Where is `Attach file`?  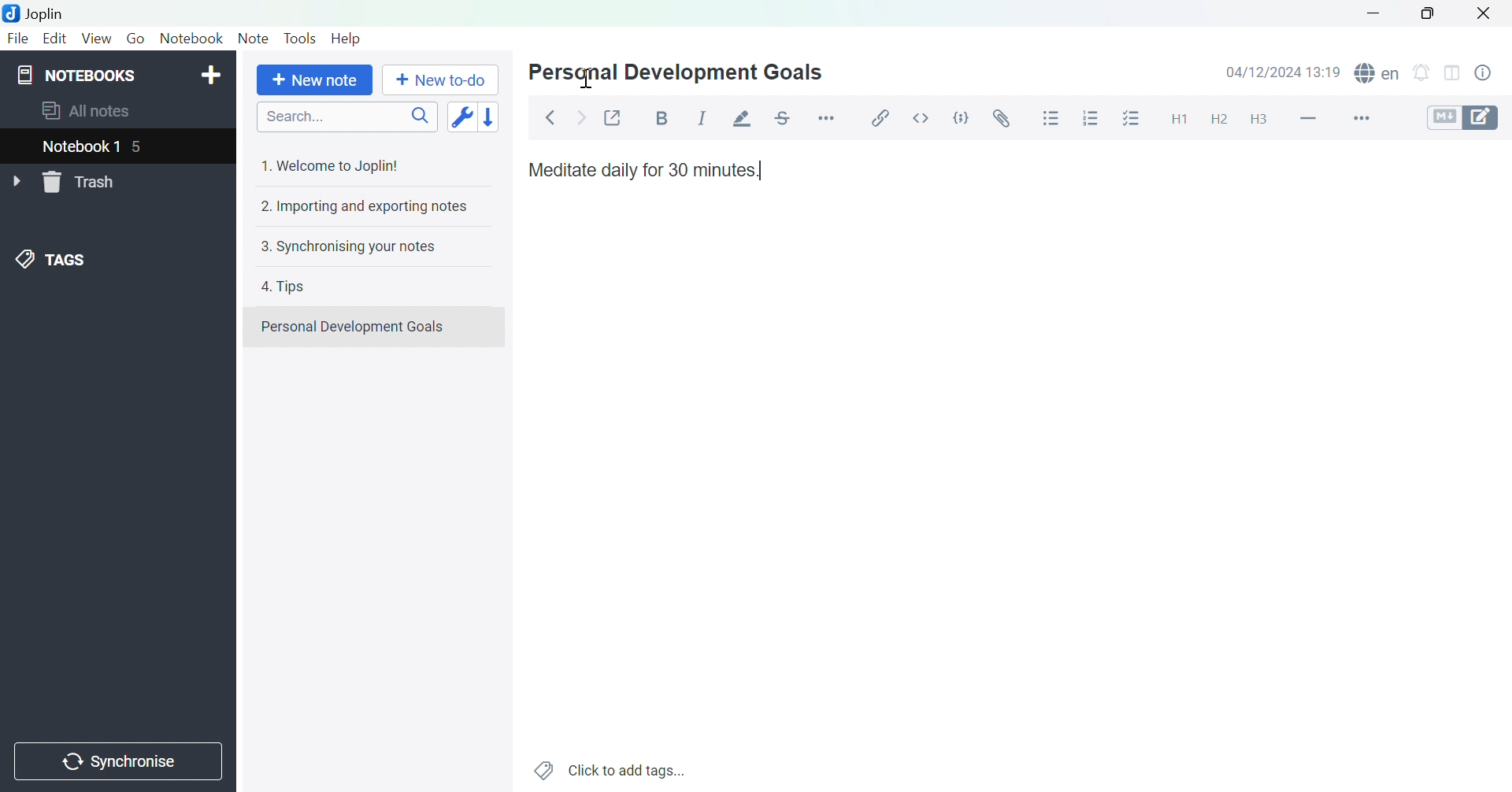
Attach file is located at coordinates (999, 119).